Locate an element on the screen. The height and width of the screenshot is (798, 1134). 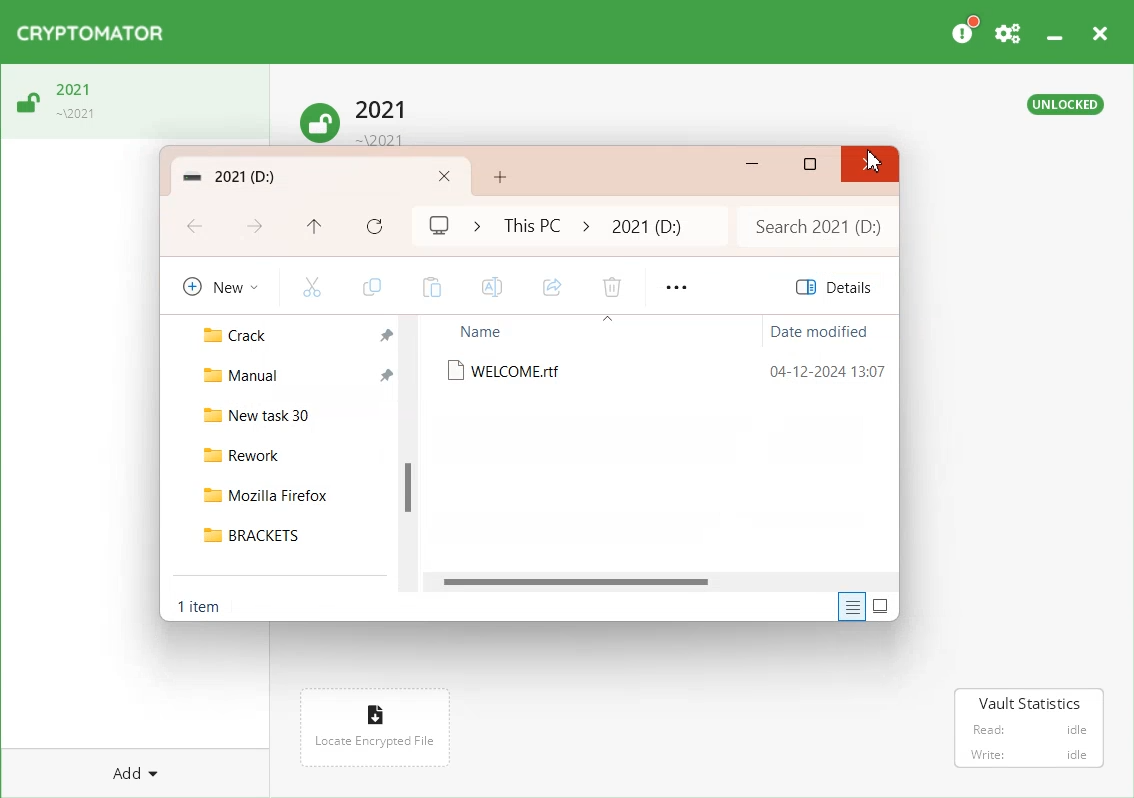
Minimize is located at coordinates (1054, 29).